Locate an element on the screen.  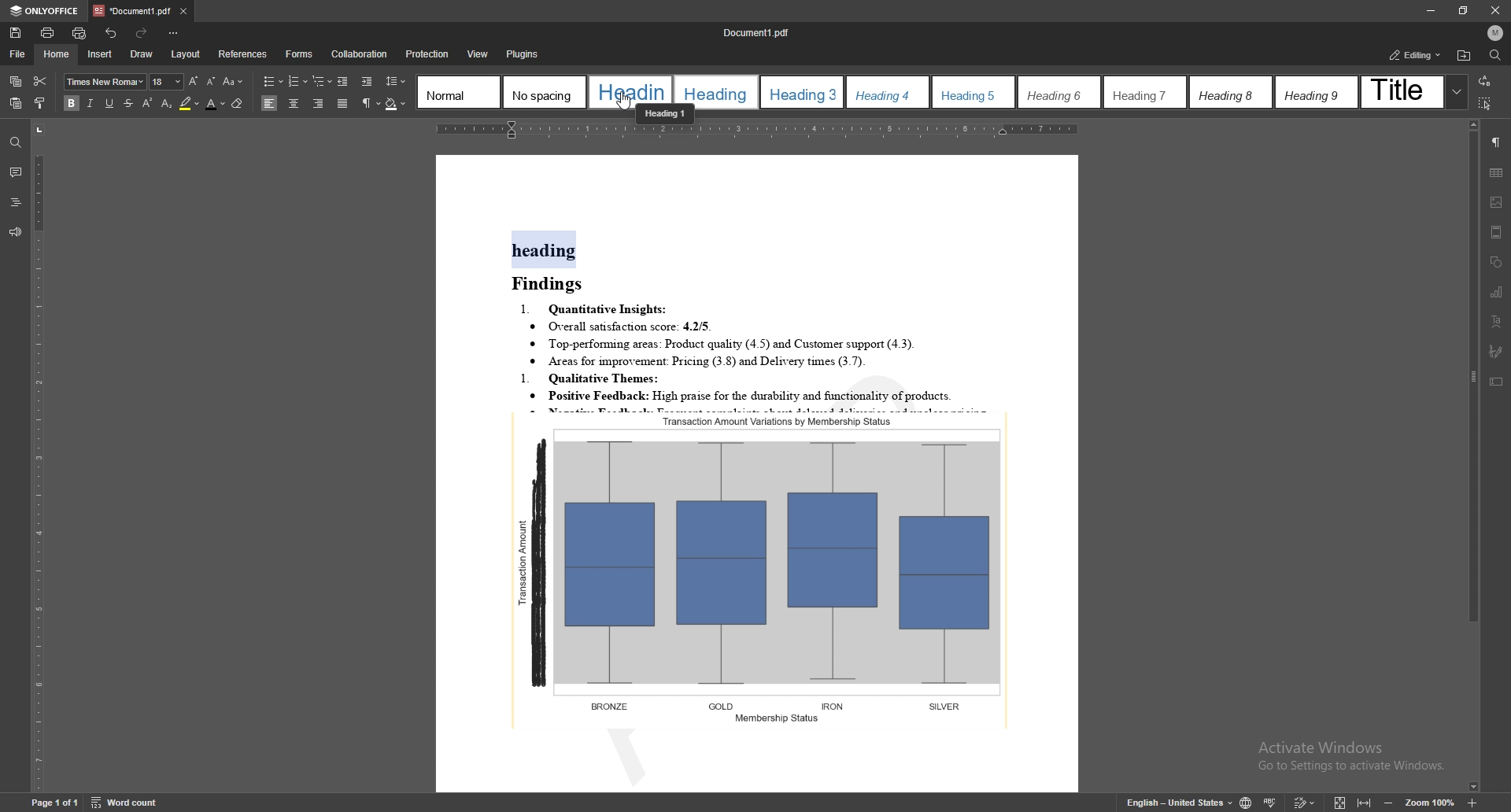
paragraph is located at coordinates (1496, 142).